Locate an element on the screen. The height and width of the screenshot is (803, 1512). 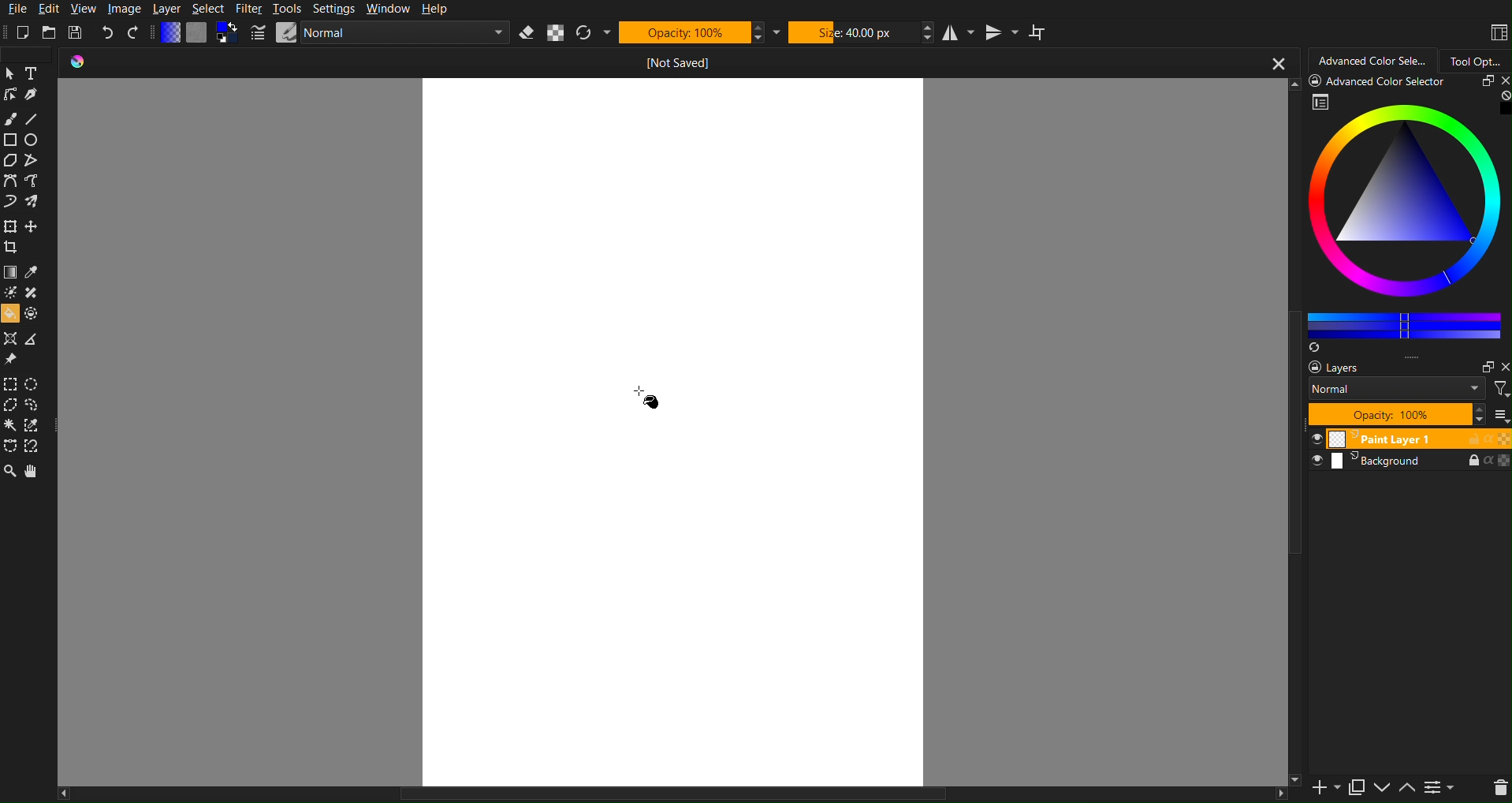
normal is located at coordinates (1395, 388).